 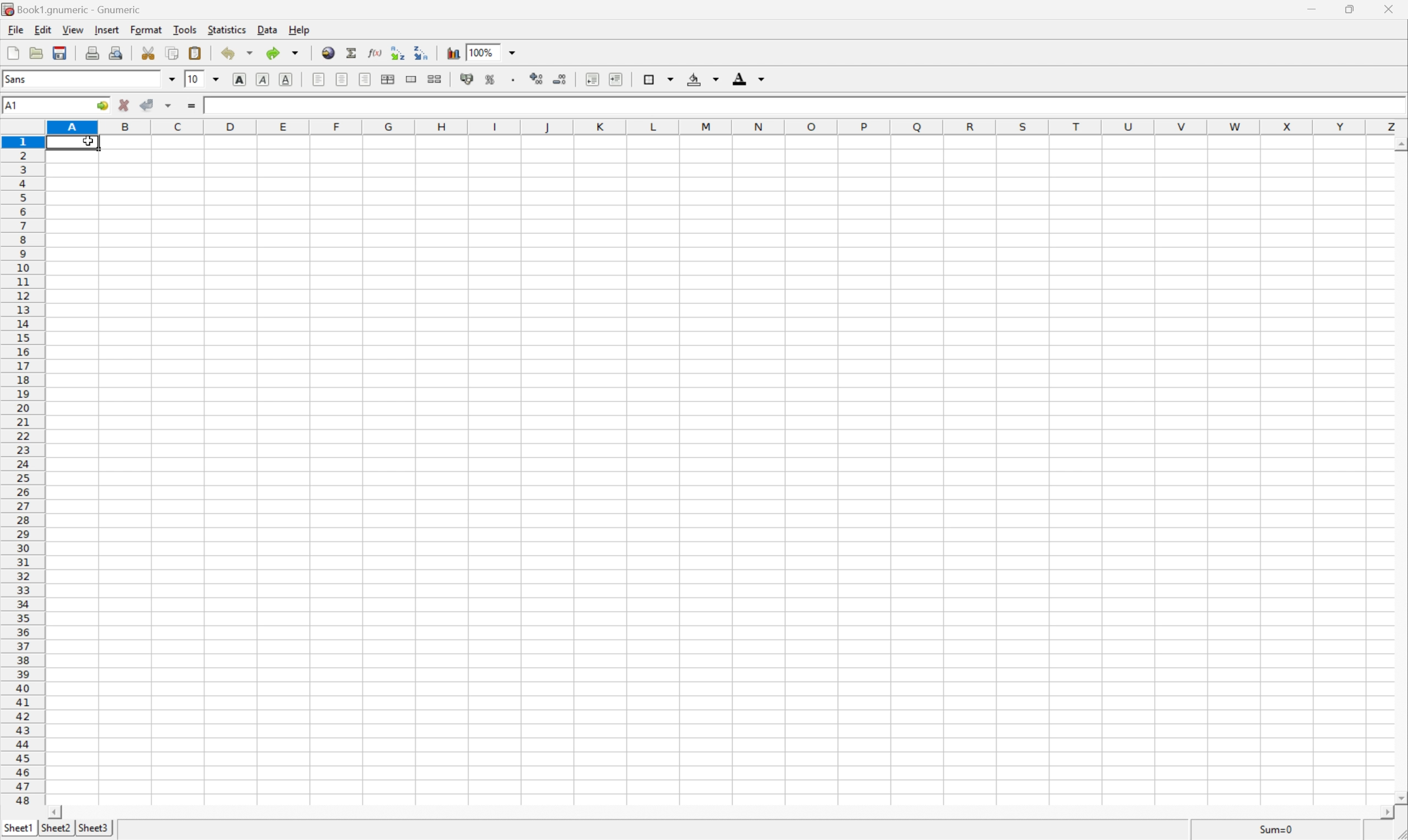 I want to click on scroll up, so click(x=1399, y=145).